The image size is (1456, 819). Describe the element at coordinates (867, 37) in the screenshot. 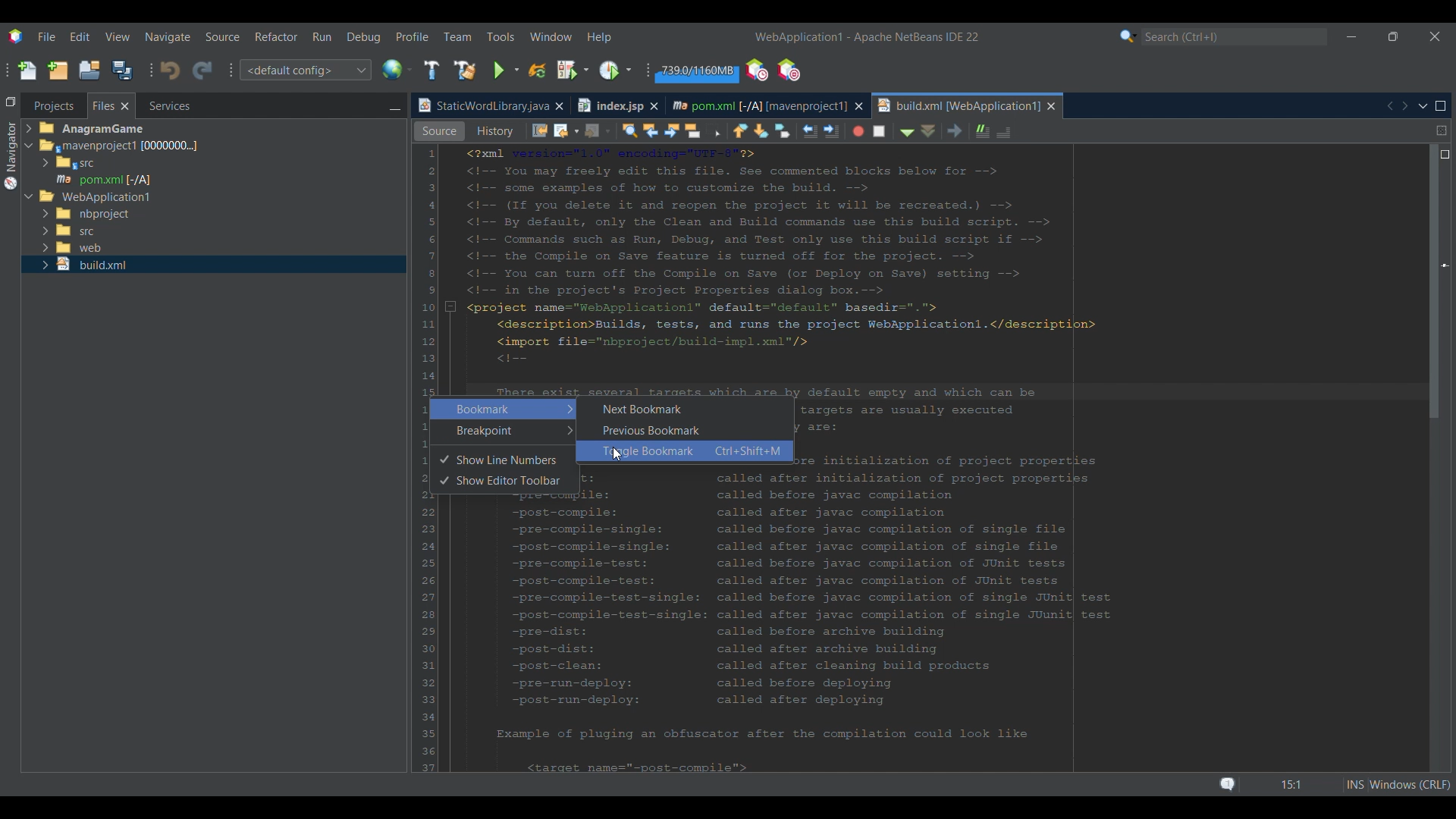

I see `Project name added` at that location.